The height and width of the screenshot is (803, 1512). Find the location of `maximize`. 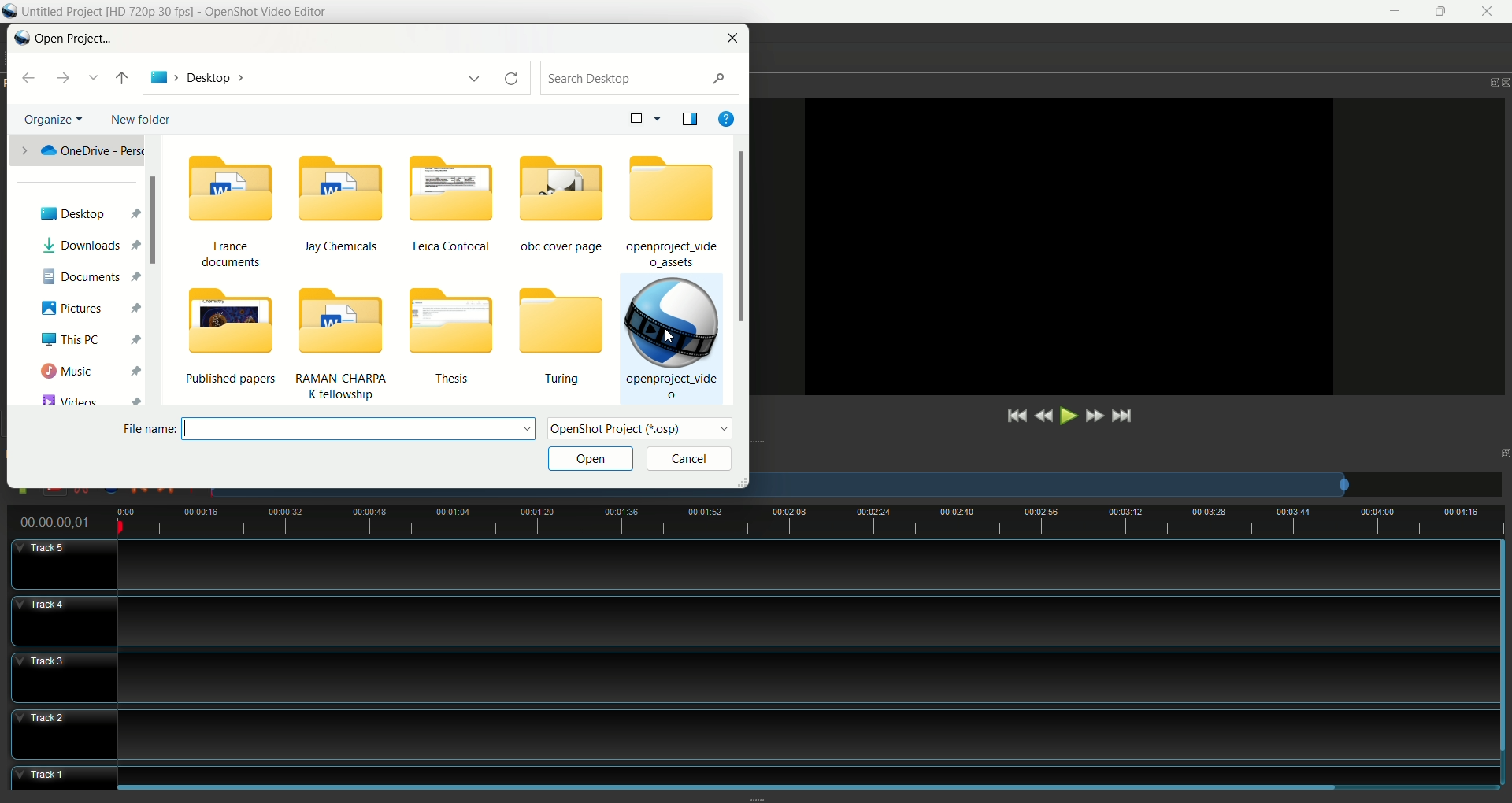

maximize is located at coordinates (1503, 451).